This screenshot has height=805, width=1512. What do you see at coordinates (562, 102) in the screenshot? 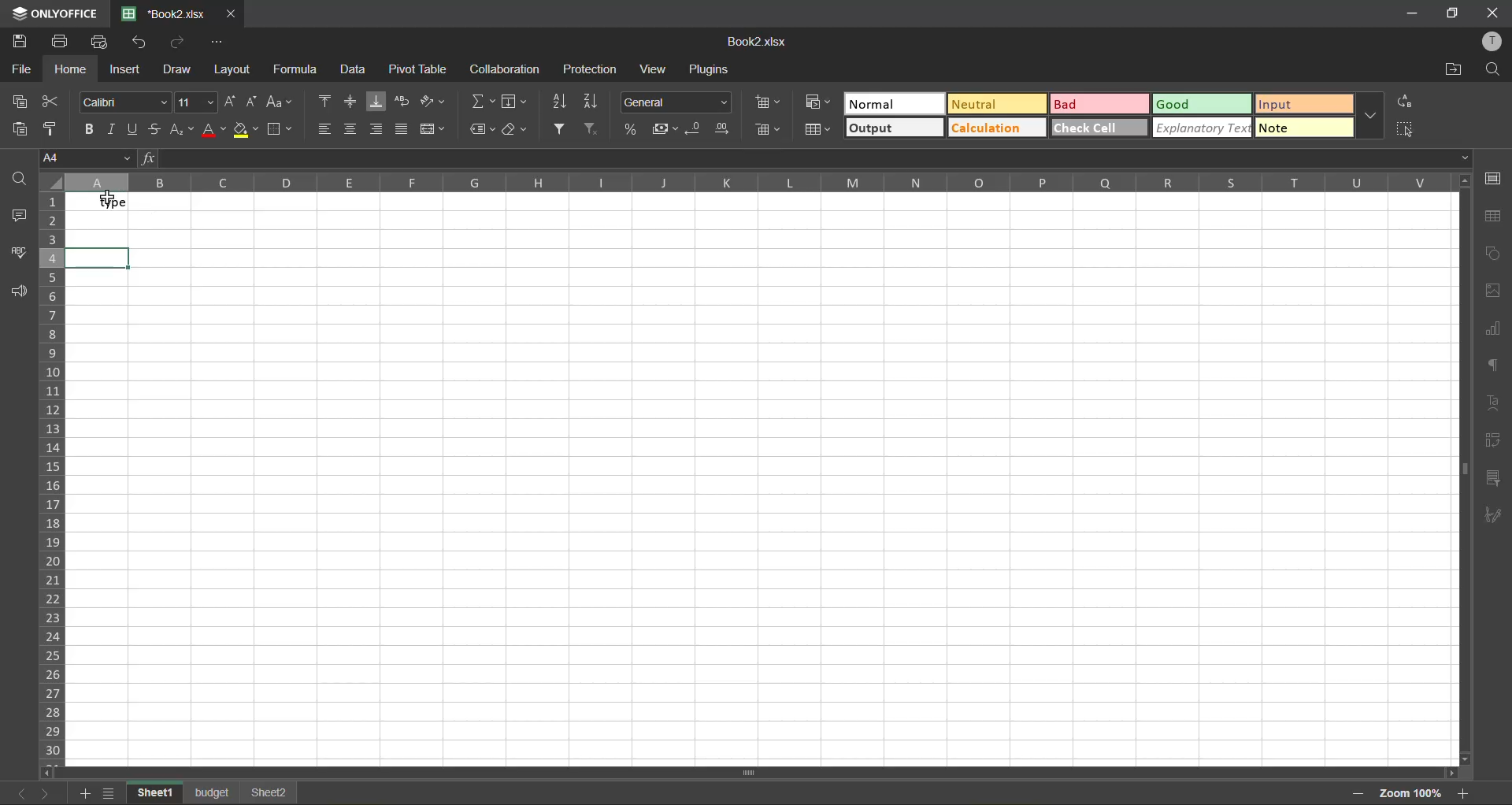
I see `sort ascending` at bounding box center [562, 102].